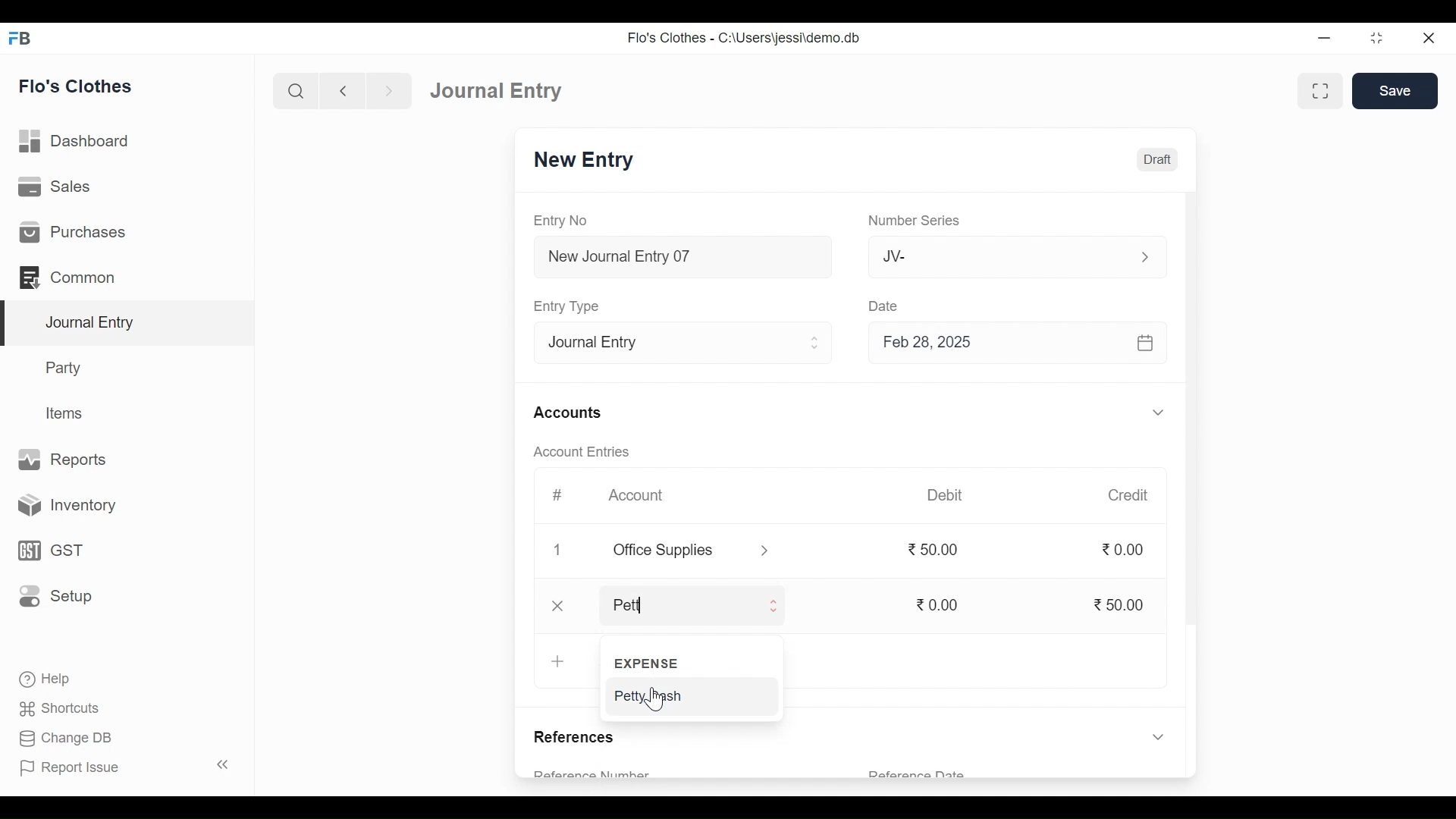  What do you see at coordinates (1158, 412) in the screenshot?
I see `Expand` at bounding box center [1158, 412].